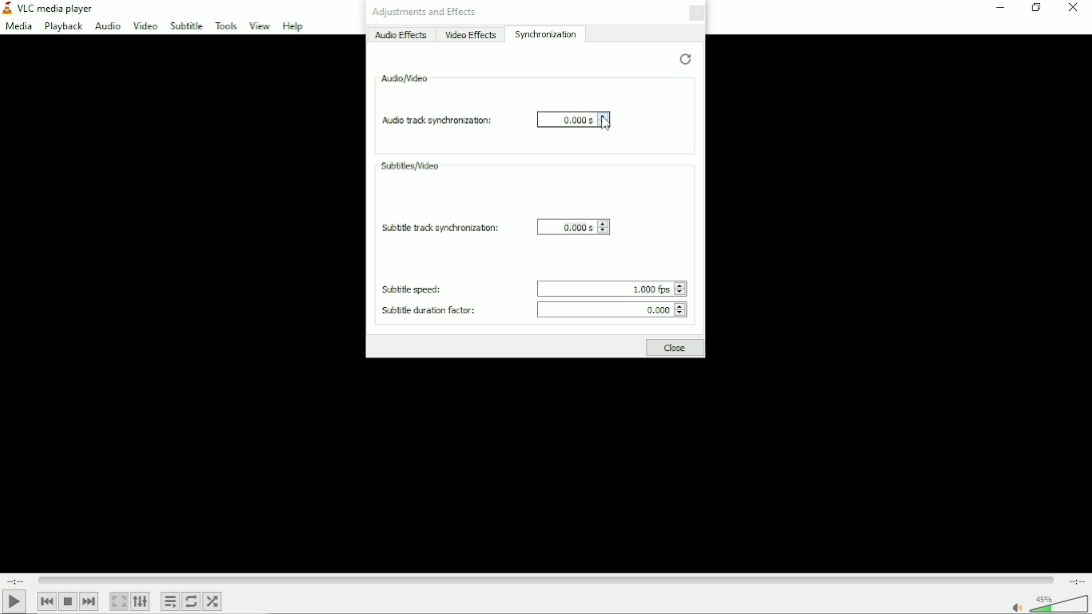  What do you see at coordinates (53, 9) in the screenshot?
I see `Title` at bounding box center [53, 9].